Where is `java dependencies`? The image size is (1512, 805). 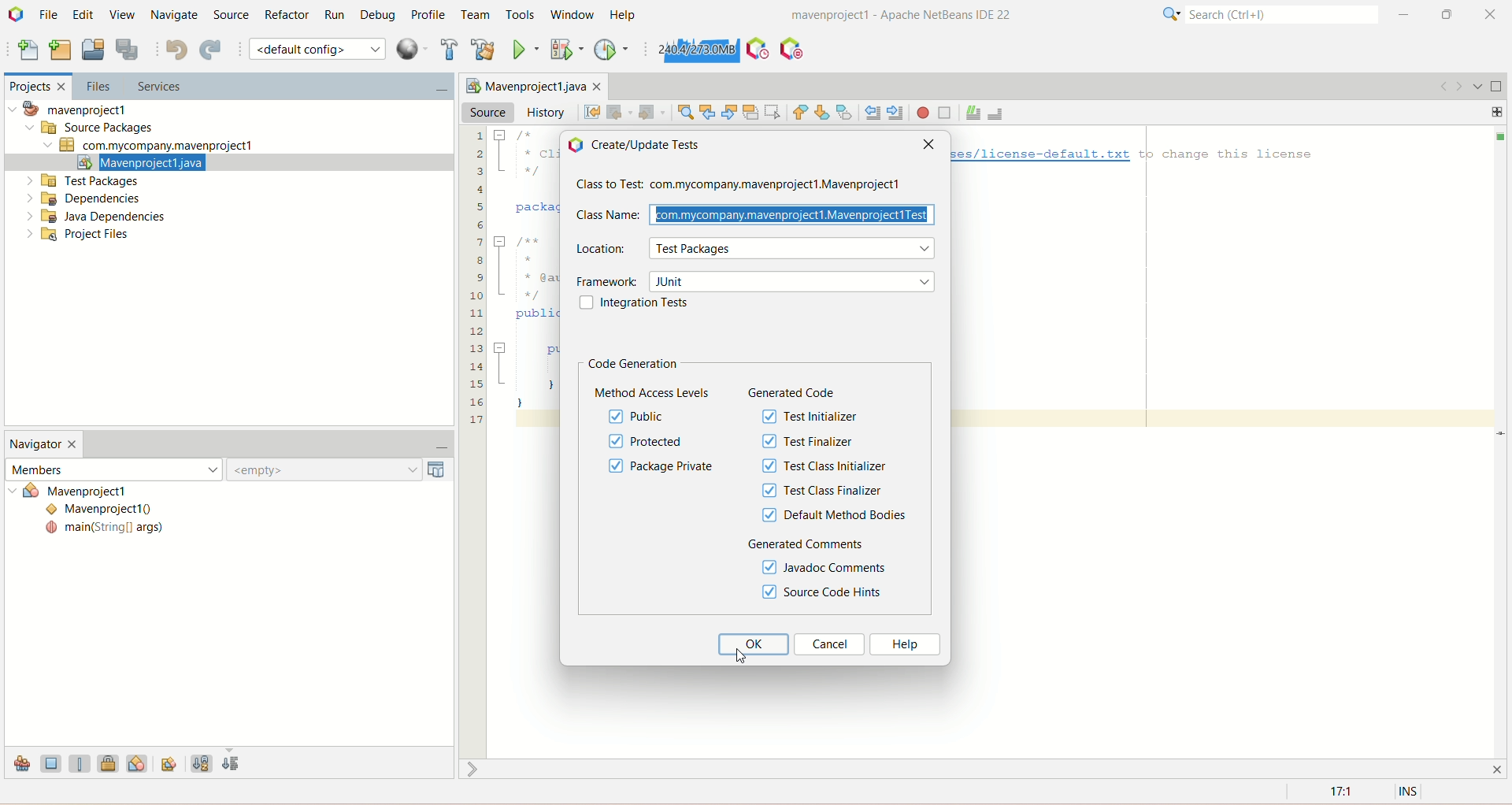 java dependencies is located at coordinates (91, 215).